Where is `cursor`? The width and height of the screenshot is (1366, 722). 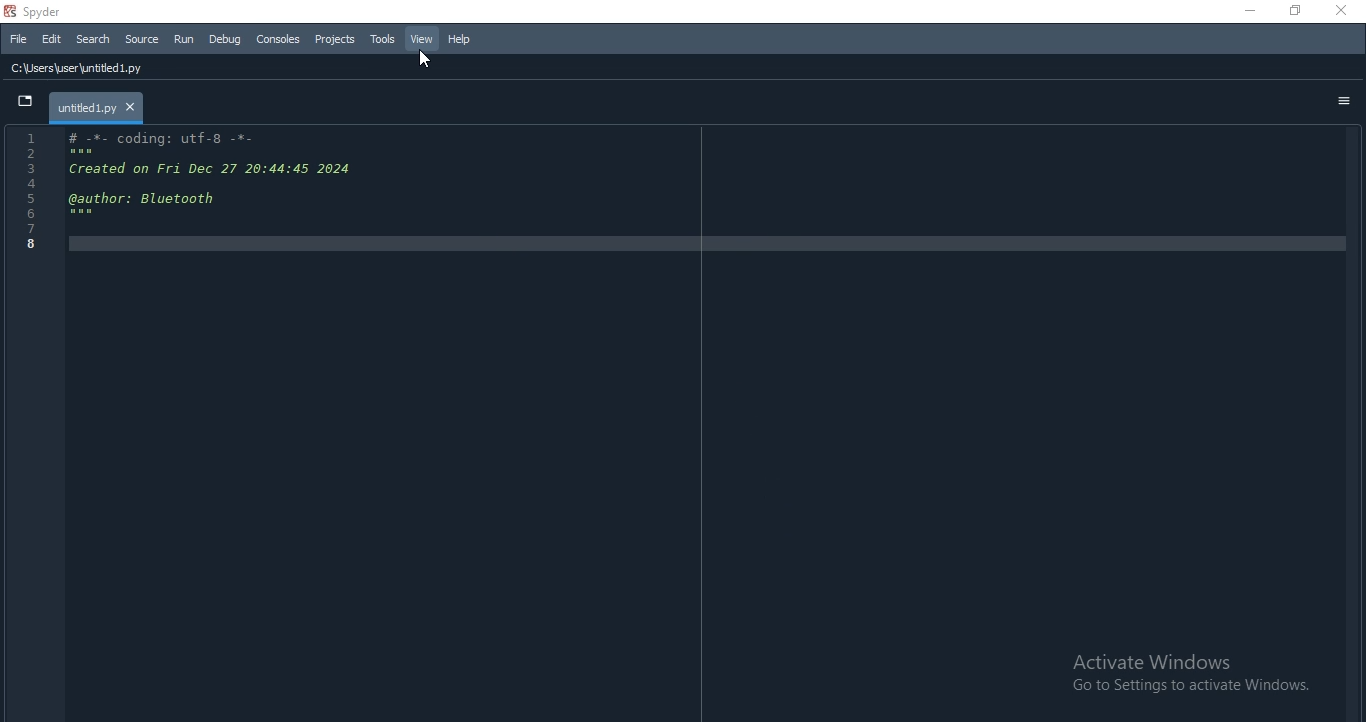
cursor is located at coordinates (427, 61).